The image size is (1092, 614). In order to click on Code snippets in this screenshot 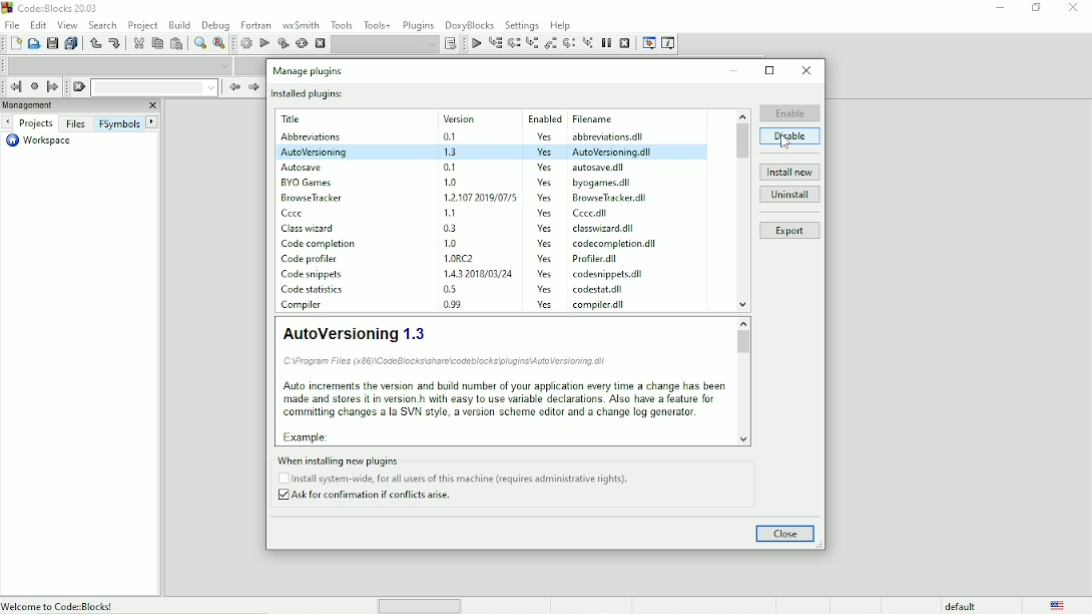, I will do `click(313, 275)`.